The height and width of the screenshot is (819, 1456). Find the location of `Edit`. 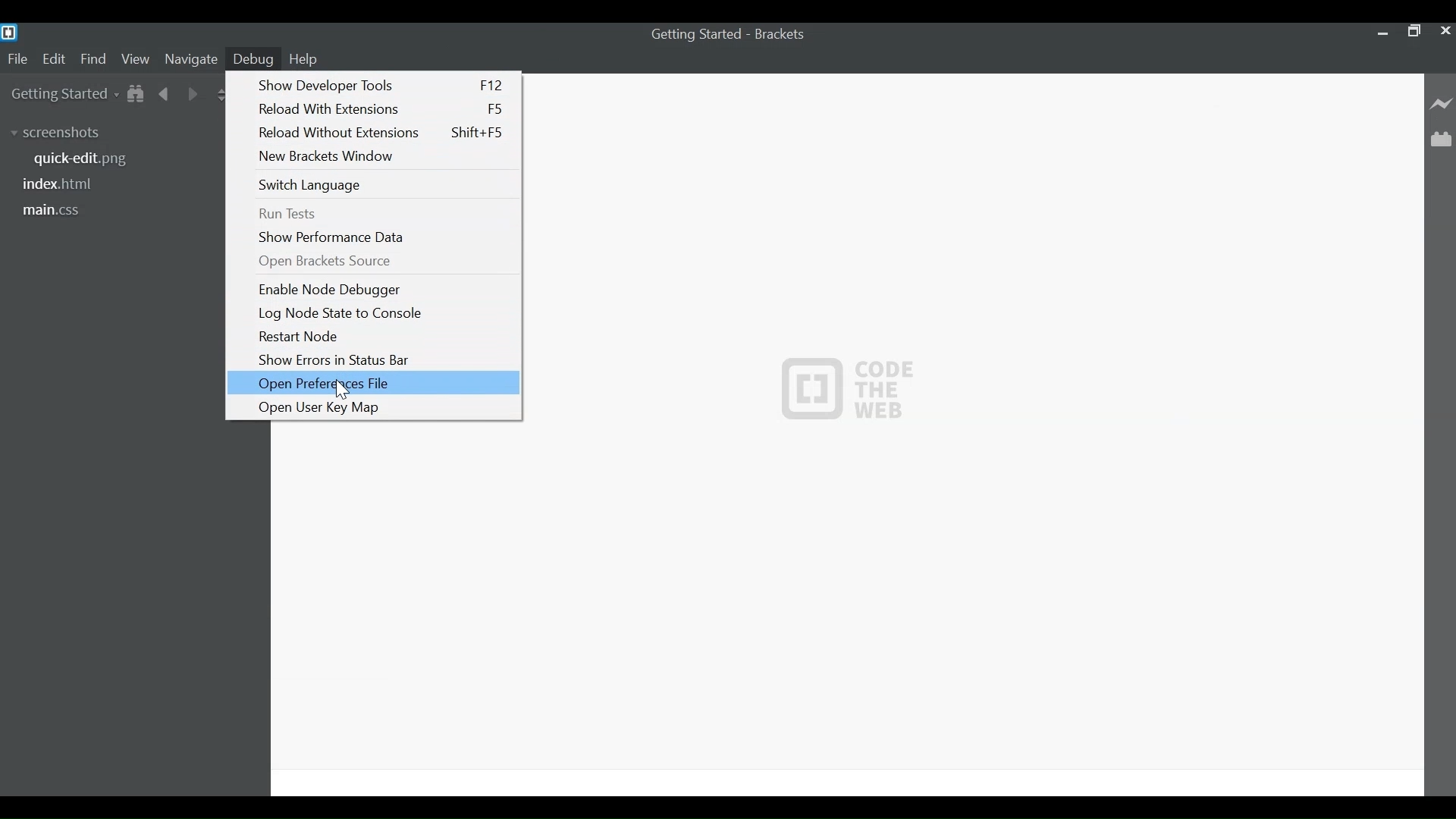

Edit is located at coordinates (57, 58).